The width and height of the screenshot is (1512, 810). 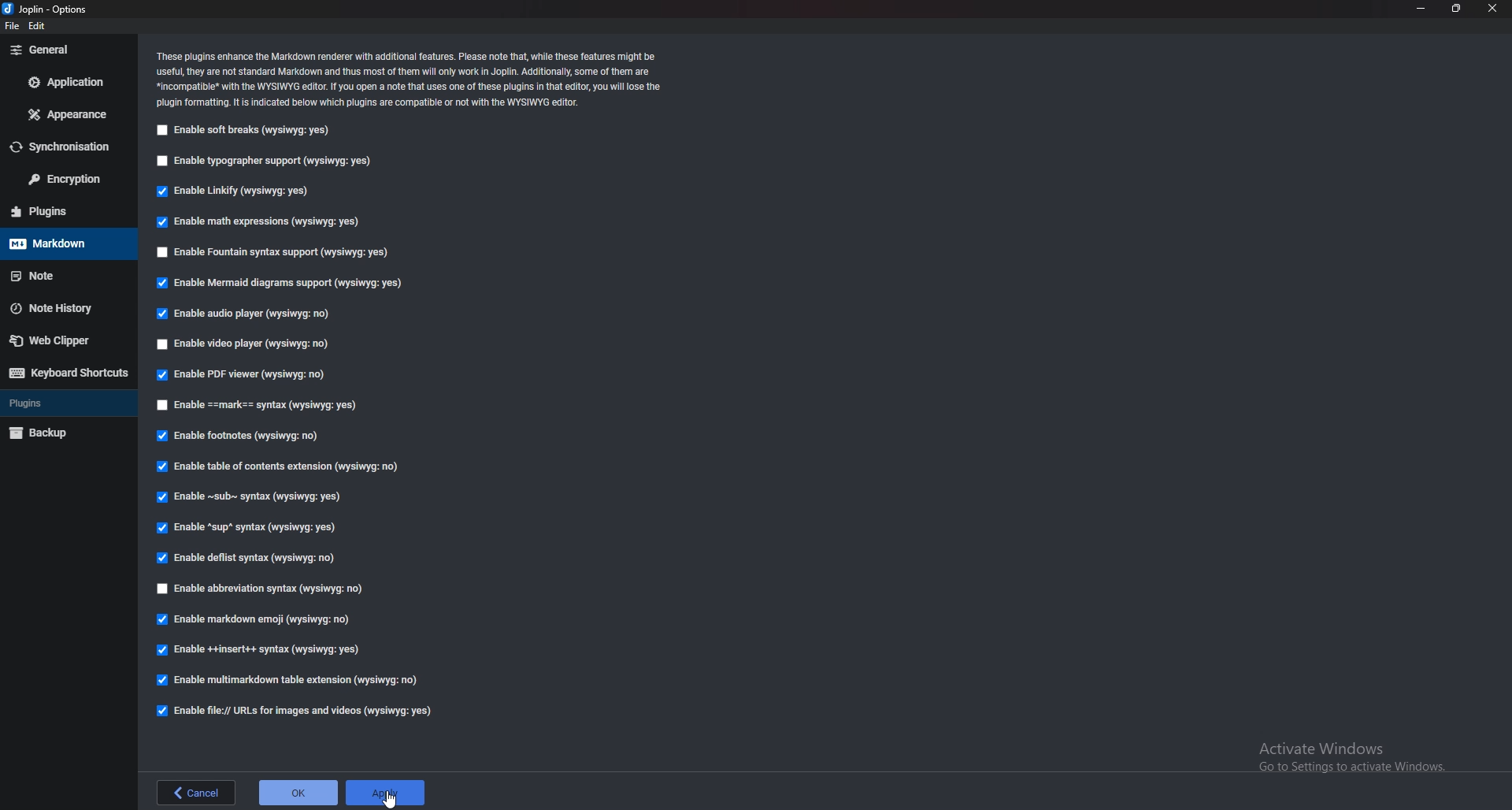 What do you see at coordinates (62, 147) in the screenshot?
I see `Synchronization` at bounding box center [62, 147].